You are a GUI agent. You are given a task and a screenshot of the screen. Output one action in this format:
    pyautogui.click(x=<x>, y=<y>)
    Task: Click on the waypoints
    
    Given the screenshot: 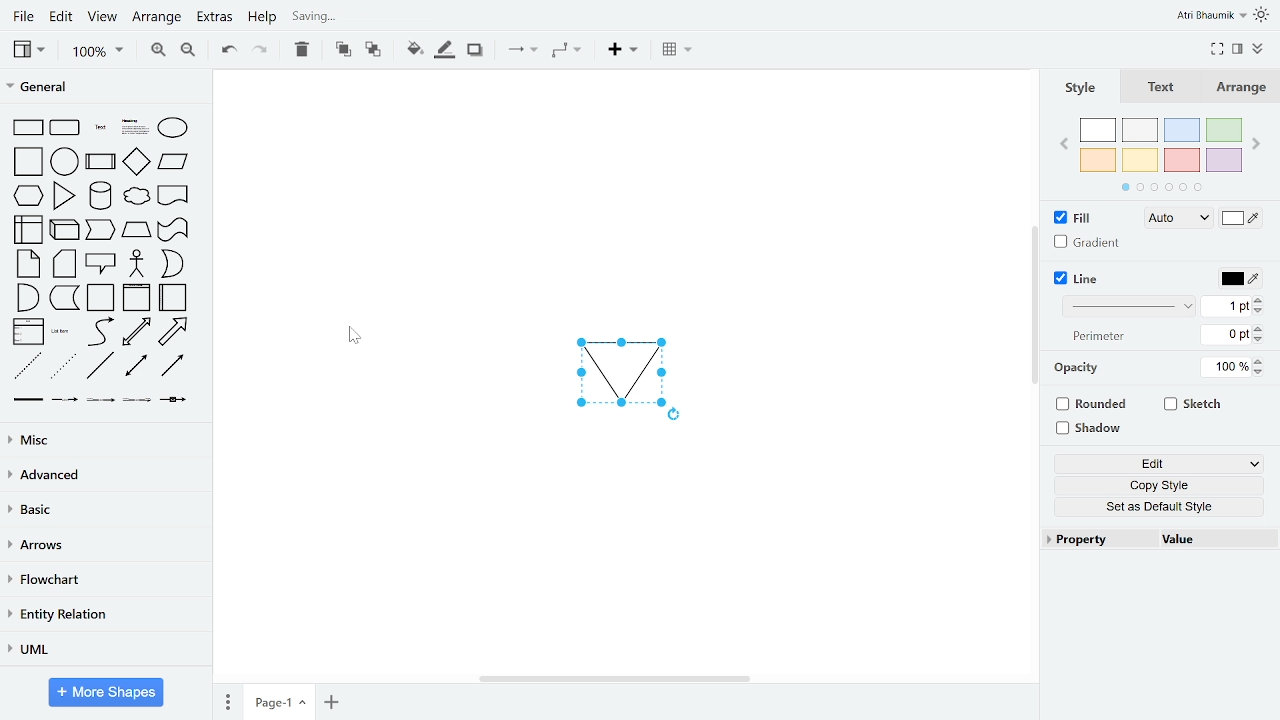 What is the action you would take?
    pyautogui.click(x=565, y=52)
    